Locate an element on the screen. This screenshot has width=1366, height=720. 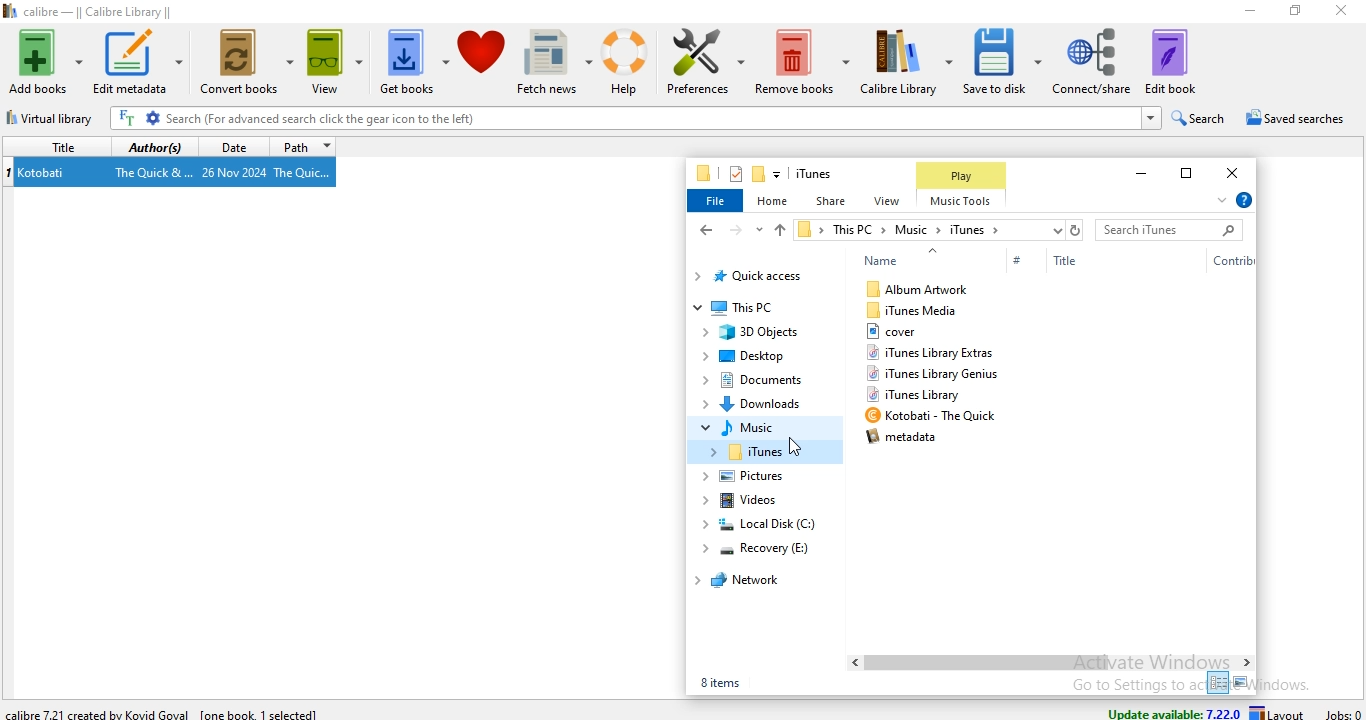
Contribution is located at coordinates (1232, 260).